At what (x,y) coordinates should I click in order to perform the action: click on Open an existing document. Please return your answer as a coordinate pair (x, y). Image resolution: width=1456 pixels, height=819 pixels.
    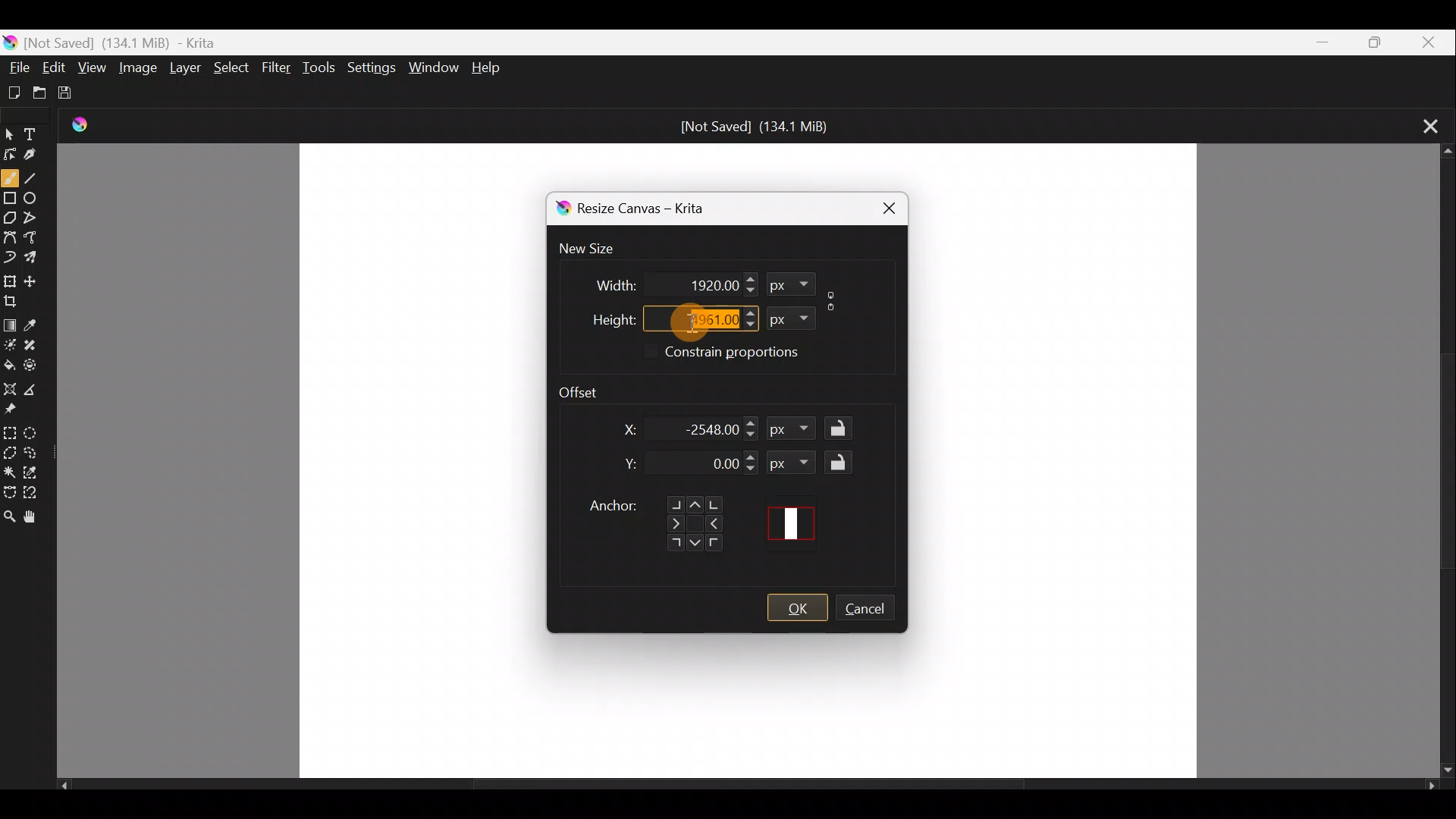
    Looking at the image, I should click on (46, 93).